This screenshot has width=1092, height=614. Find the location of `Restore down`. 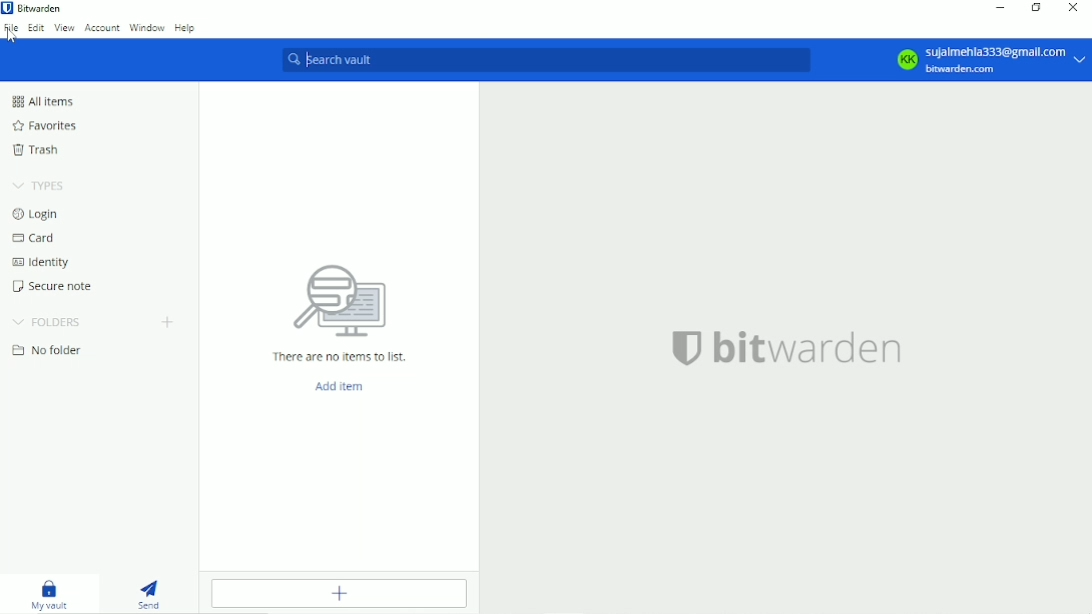

Restore down is located at coordinates (1038, 9).